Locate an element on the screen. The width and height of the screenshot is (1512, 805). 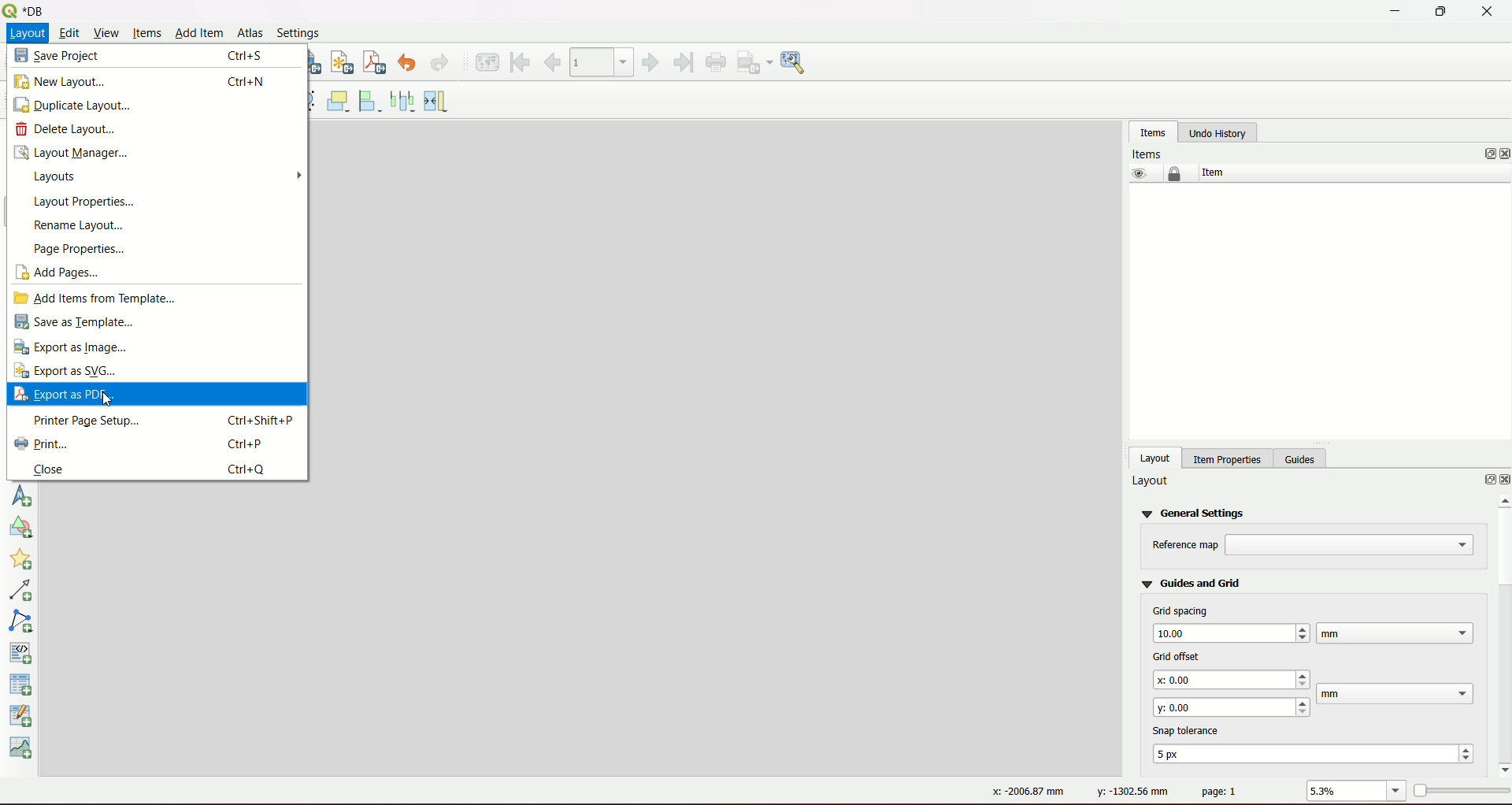
guides is located at coordinates (1303, 457).